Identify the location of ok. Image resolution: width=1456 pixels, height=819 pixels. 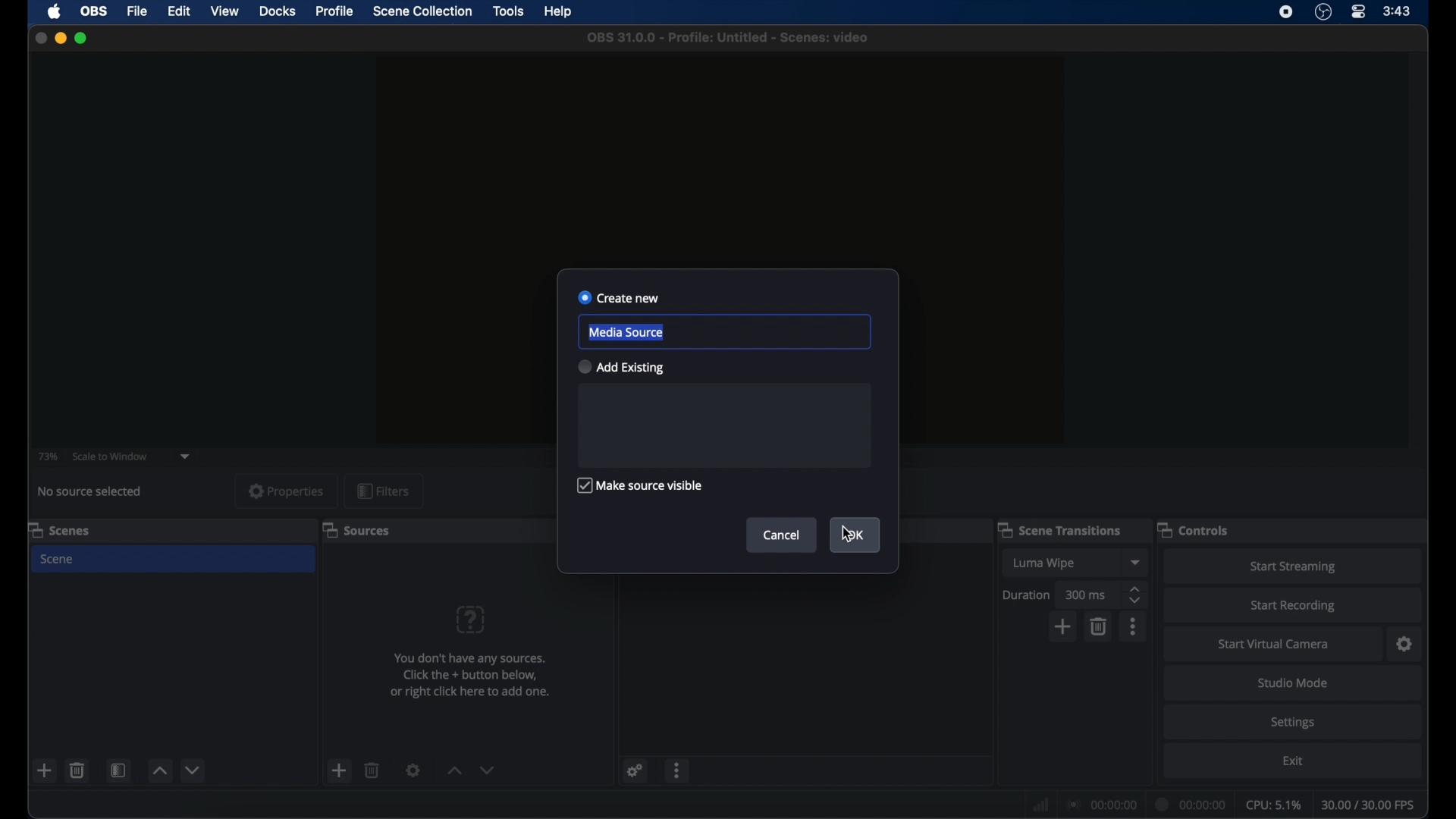
(856, 536).